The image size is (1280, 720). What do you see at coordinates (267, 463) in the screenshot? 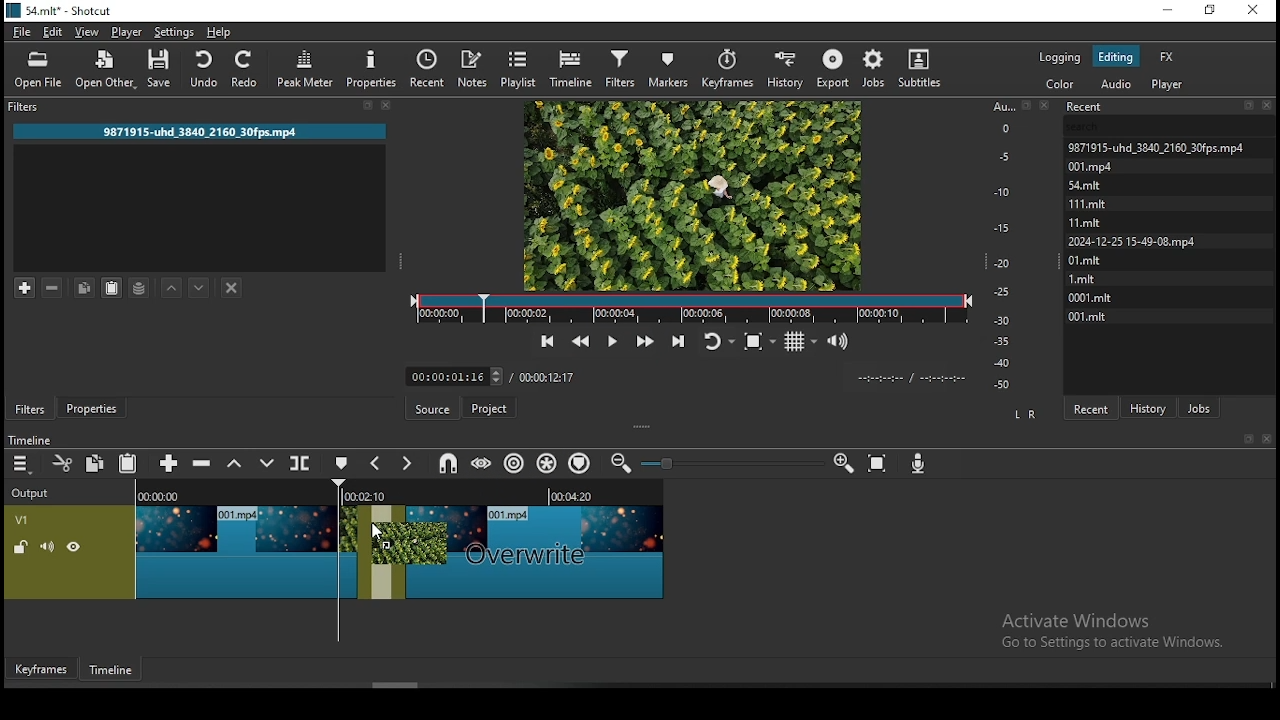
I see `overwrite` at bounding box center [267, 463].